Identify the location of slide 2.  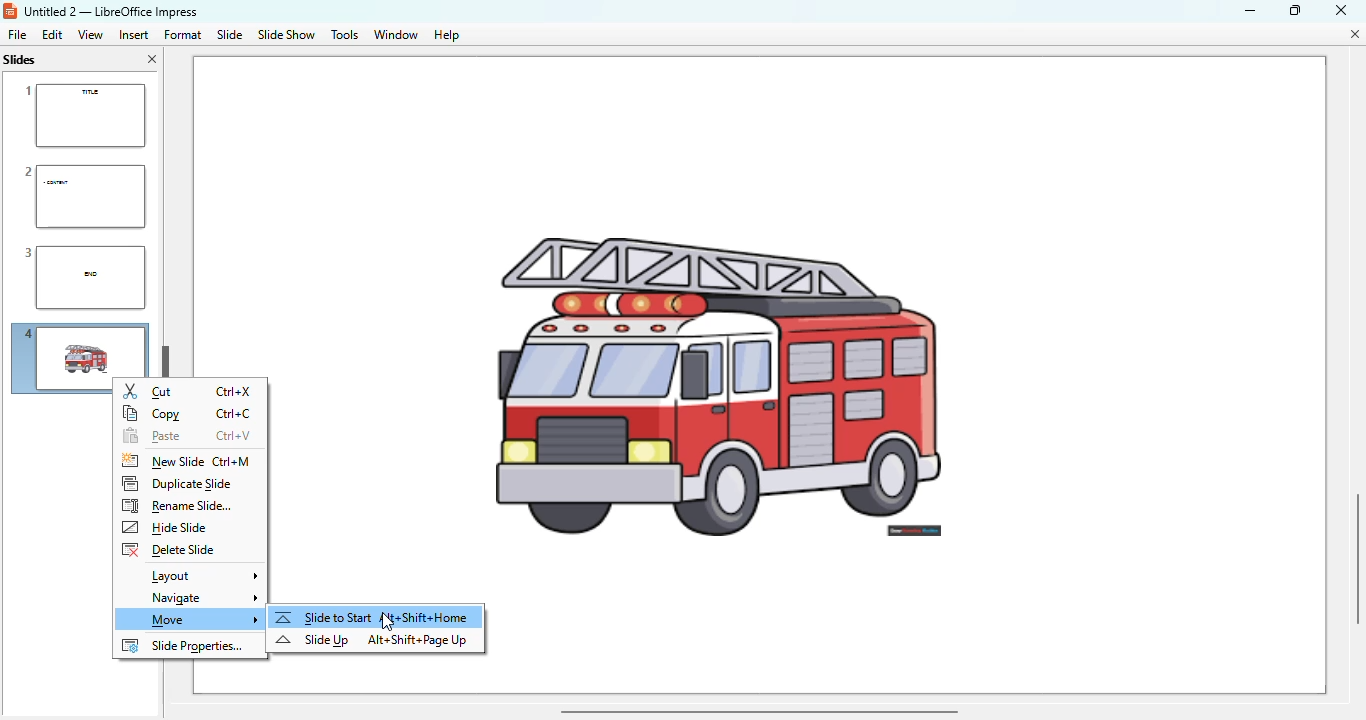
(82, 196).